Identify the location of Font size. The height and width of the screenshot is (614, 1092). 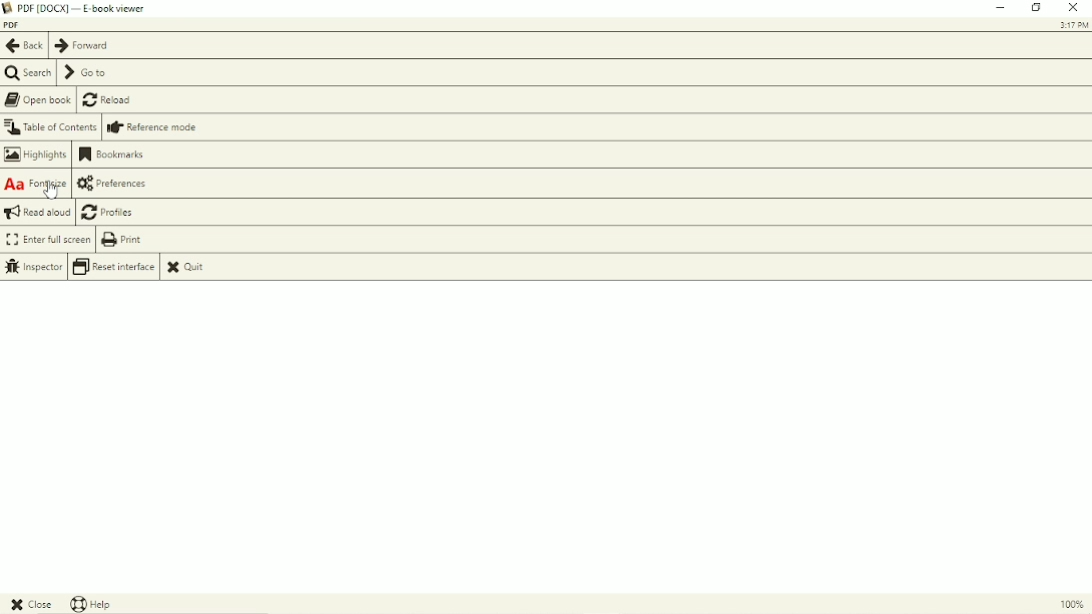
(35, 184).